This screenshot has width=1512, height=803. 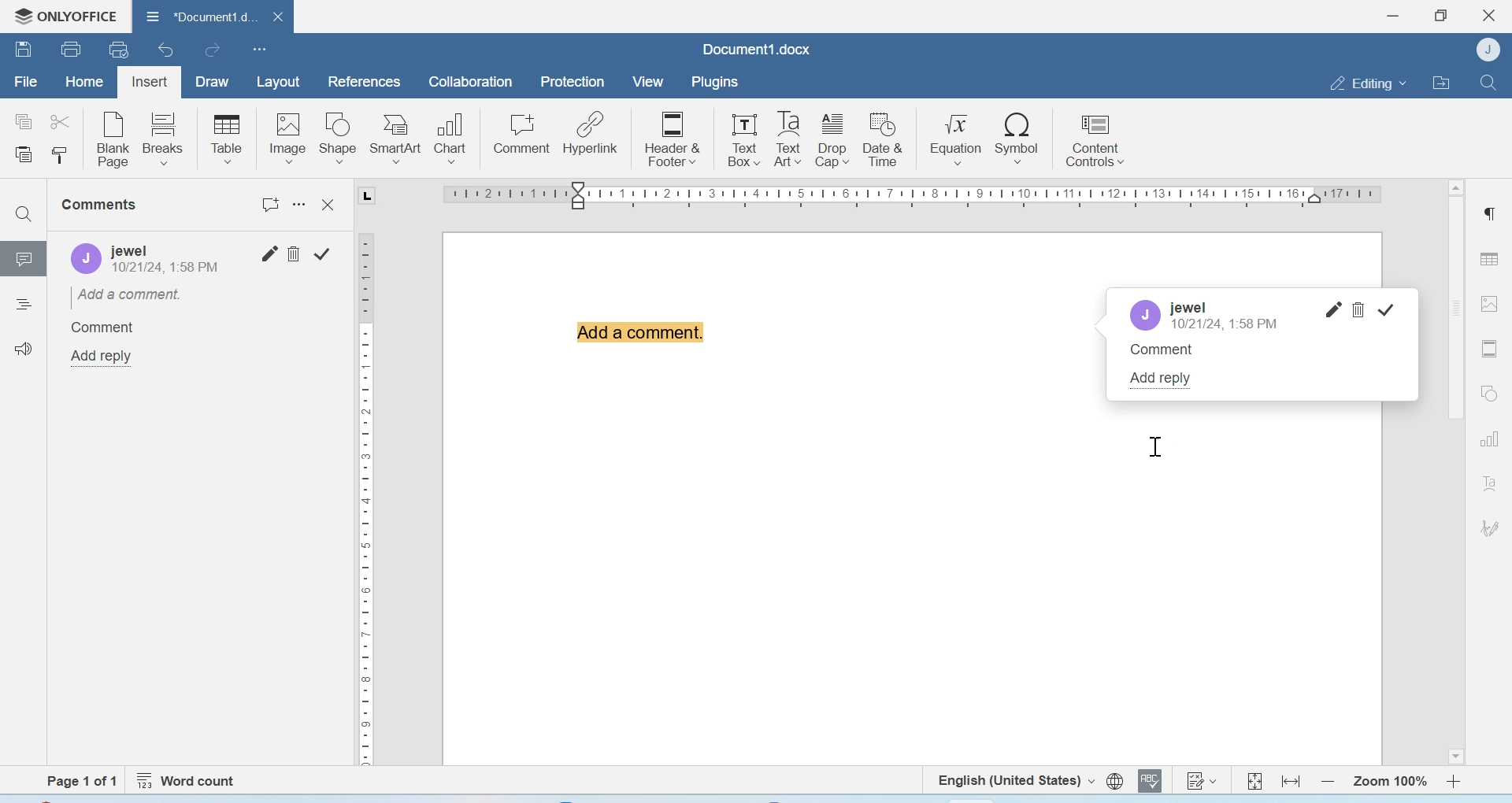 What do you see at coordinates (227, 139) in the screenshot?
I see `Table` at bounding box center [227, 139].